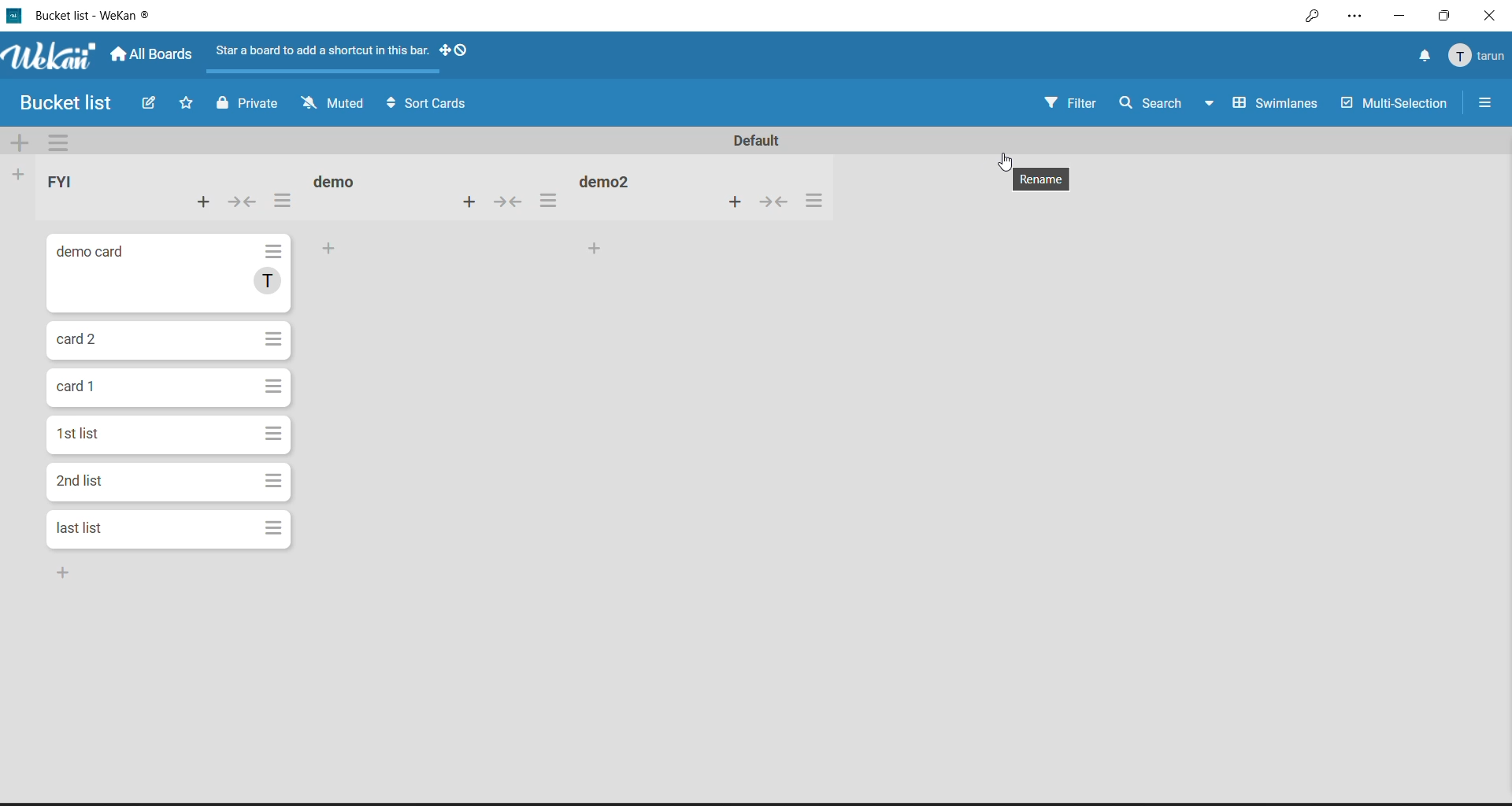 The height and width of the screenshot is (806, 1512). Describe the element at coordinates (65, 183) in the screenshot. I see `list title` at that location.